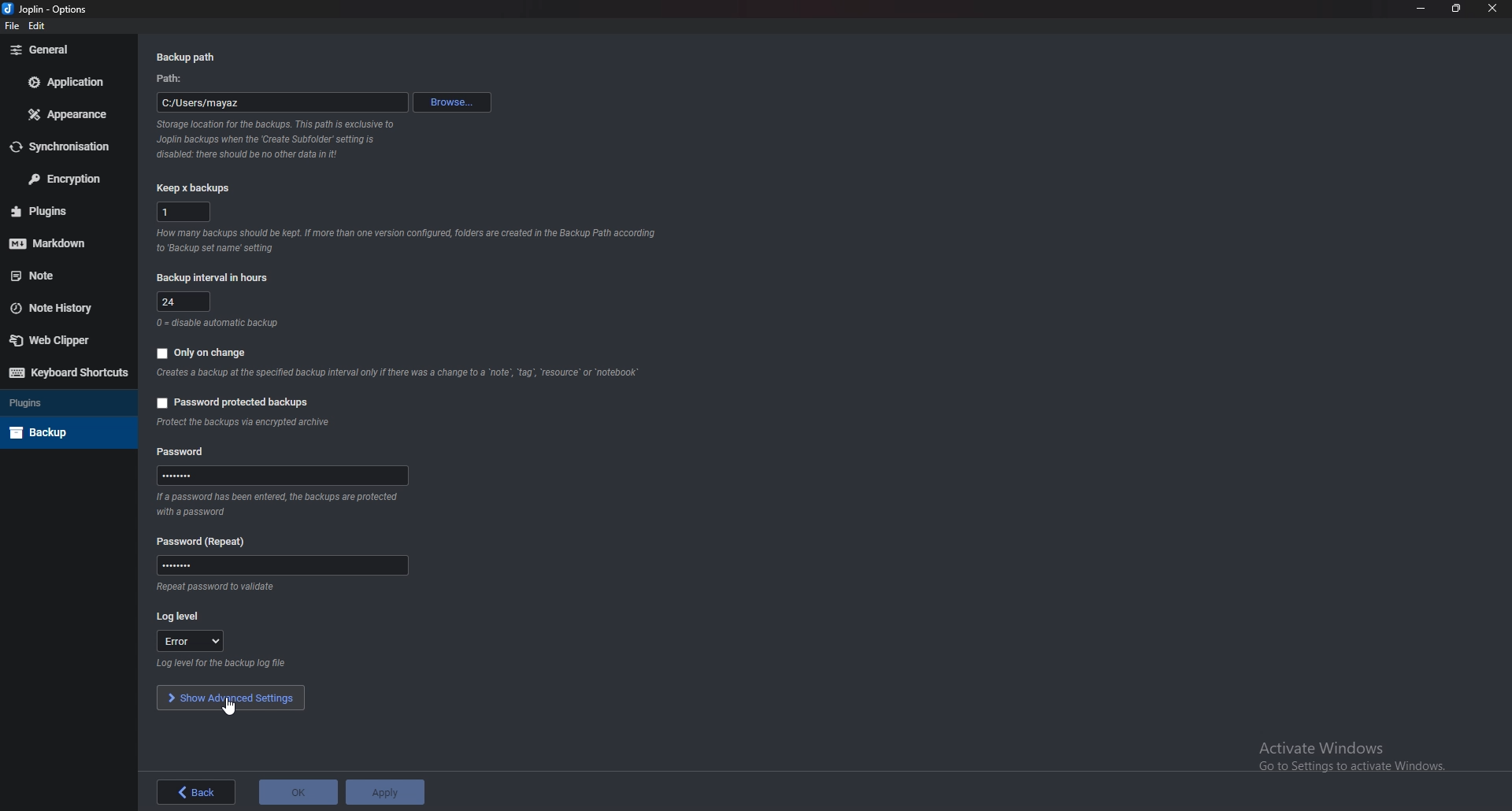 The image size is (1512, 811). What do you see at coordinates (1360, 753) in the screenshot?
I see `activate windows` at bounding box center [1360, 753].